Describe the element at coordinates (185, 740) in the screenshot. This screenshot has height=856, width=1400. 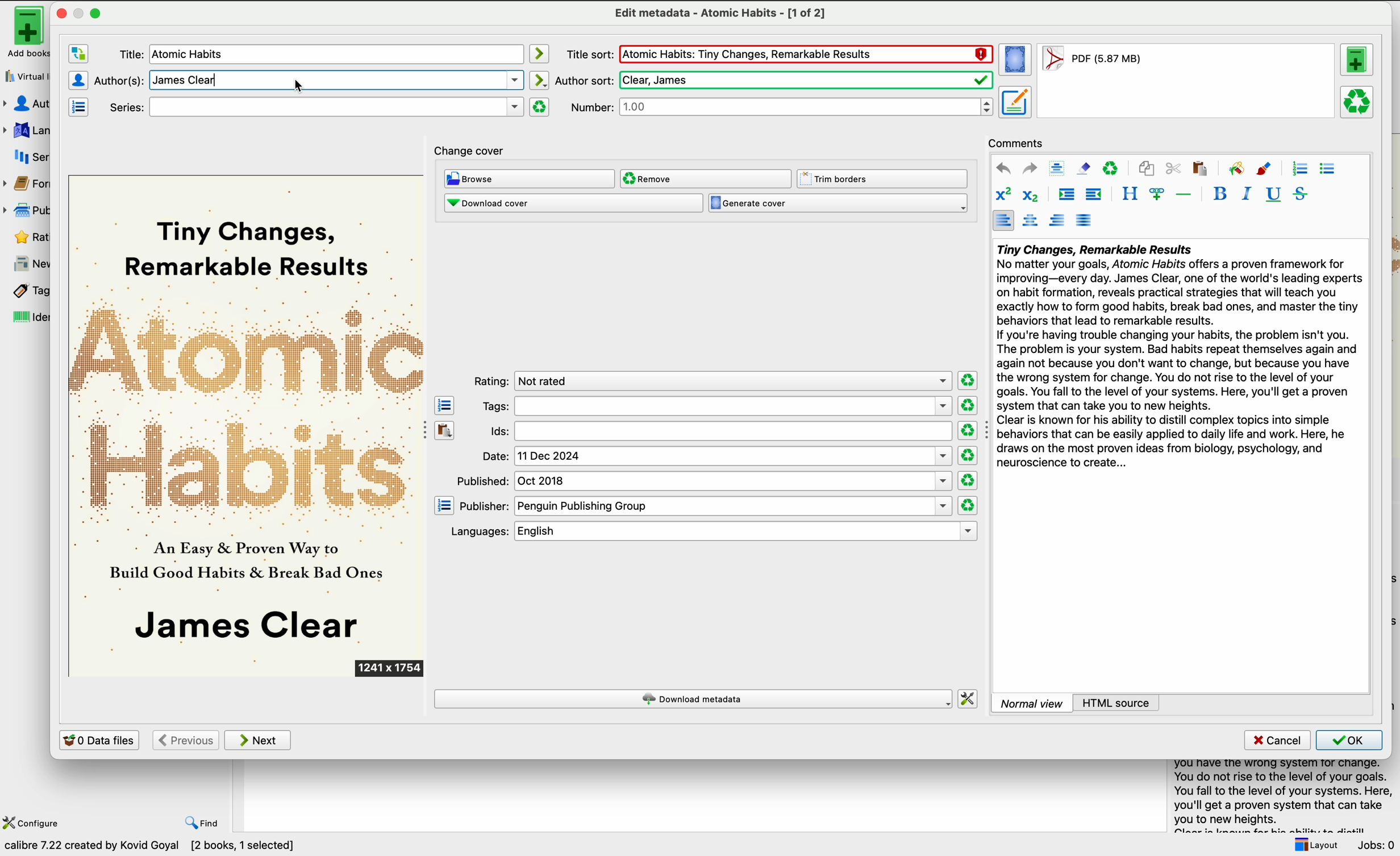
I see `previous` at that location.